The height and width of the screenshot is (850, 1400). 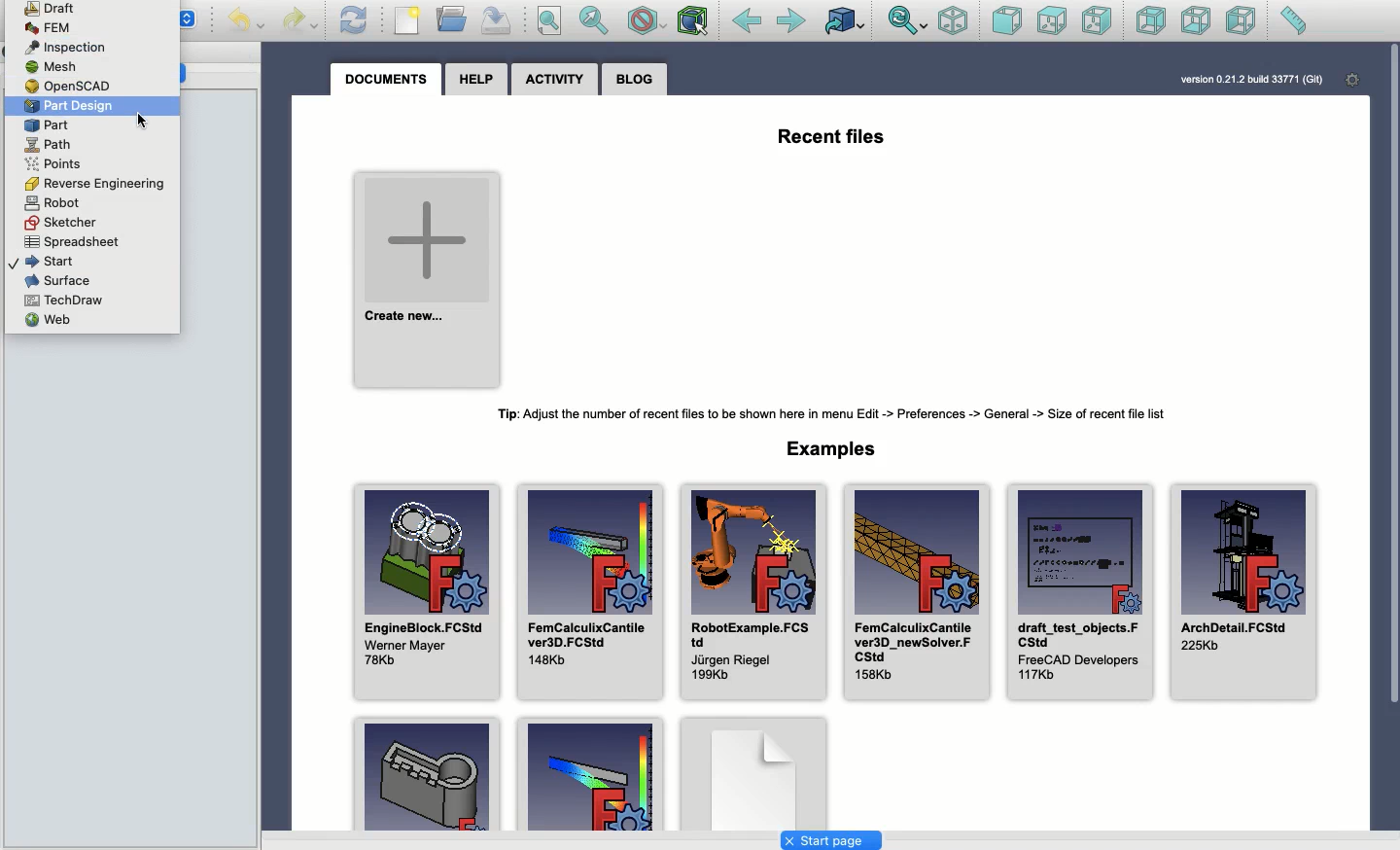 What do you see at coordinates (1240, 21) in the screenshot?
I see `Left` at bounding box center [1240, 21].